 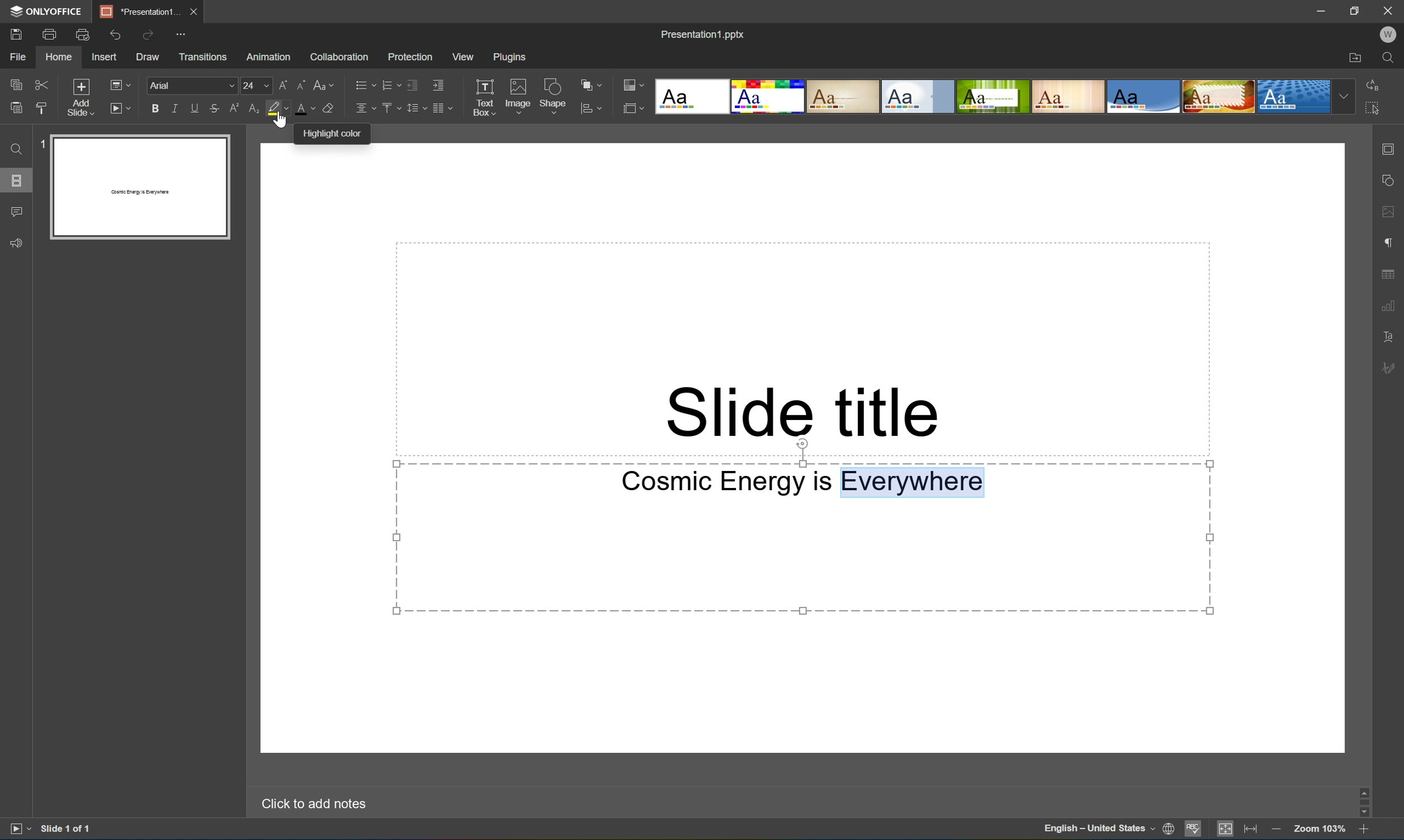 I want to click on Numbering, so click(x=389, y=83).